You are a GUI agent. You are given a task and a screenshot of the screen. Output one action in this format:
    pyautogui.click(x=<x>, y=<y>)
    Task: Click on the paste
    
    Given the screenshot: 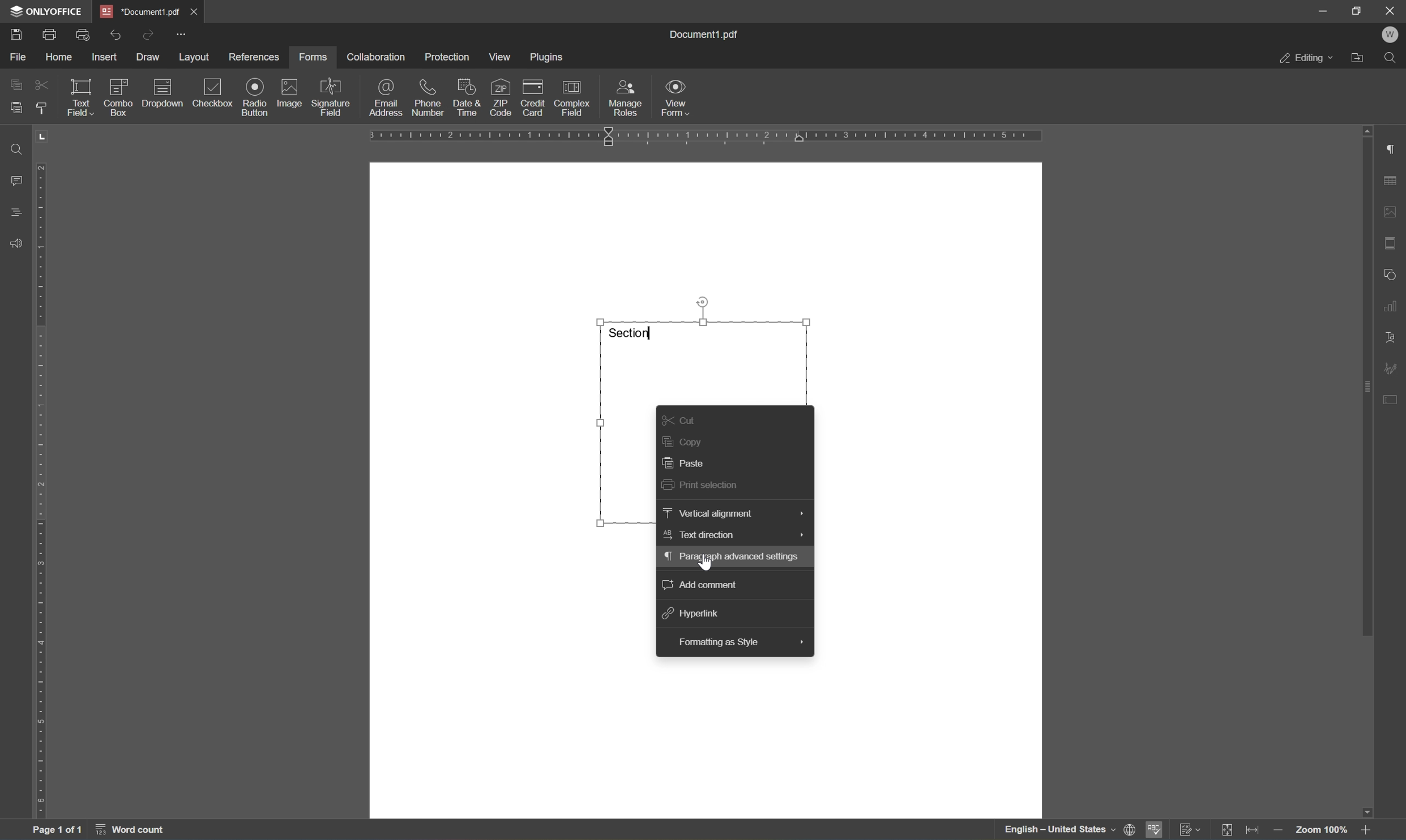 What is the action you would take?
    pyautogui.click(x=16, y=108)
    